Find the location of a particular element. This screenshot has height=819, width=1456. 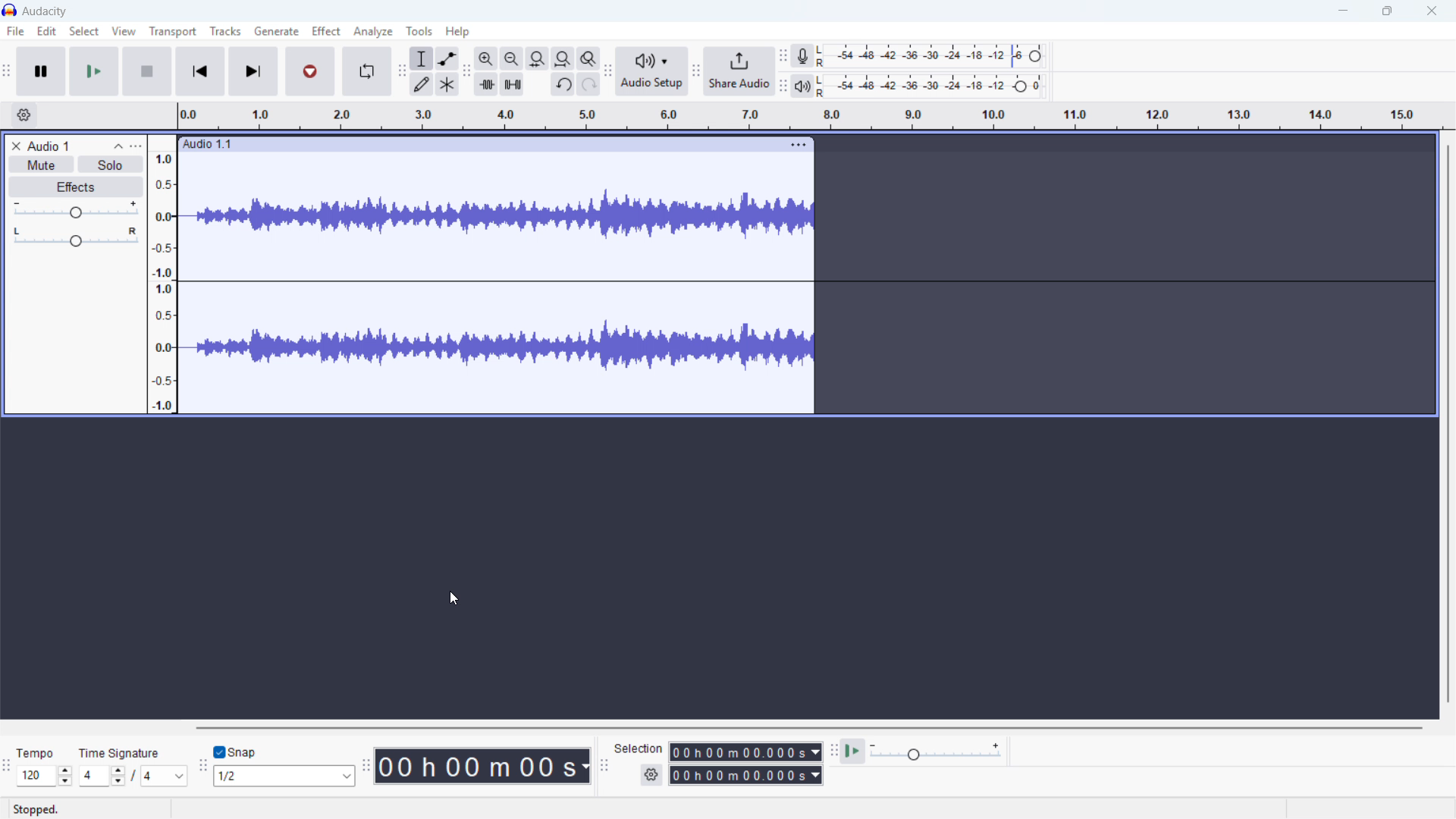

Click to drag is located at coordinates (470, 145).